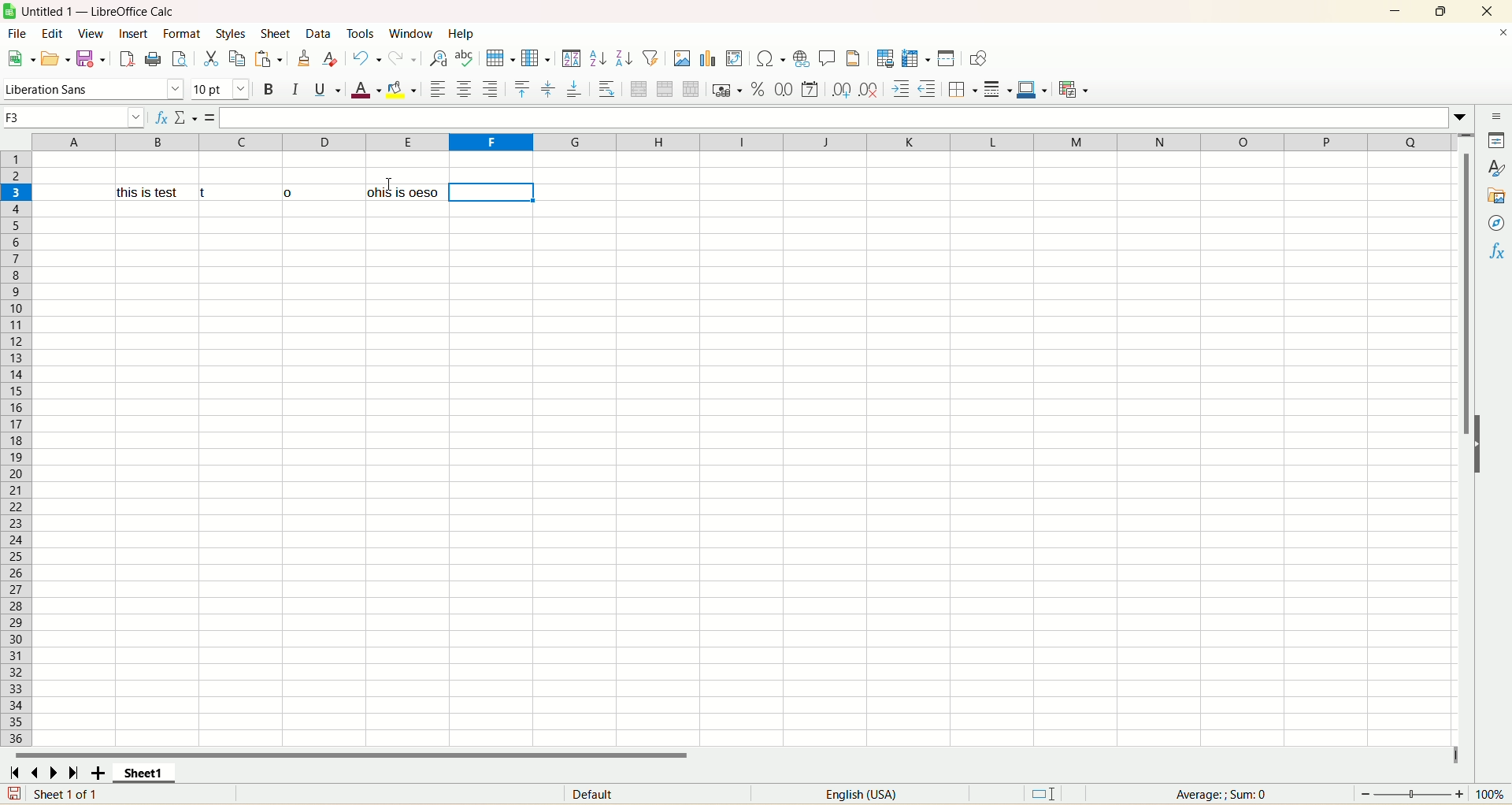 This screenshot has width=1512, height=805. Describe the element at coordinates (229, 32) in the screenshot. I see `styles` at that location.